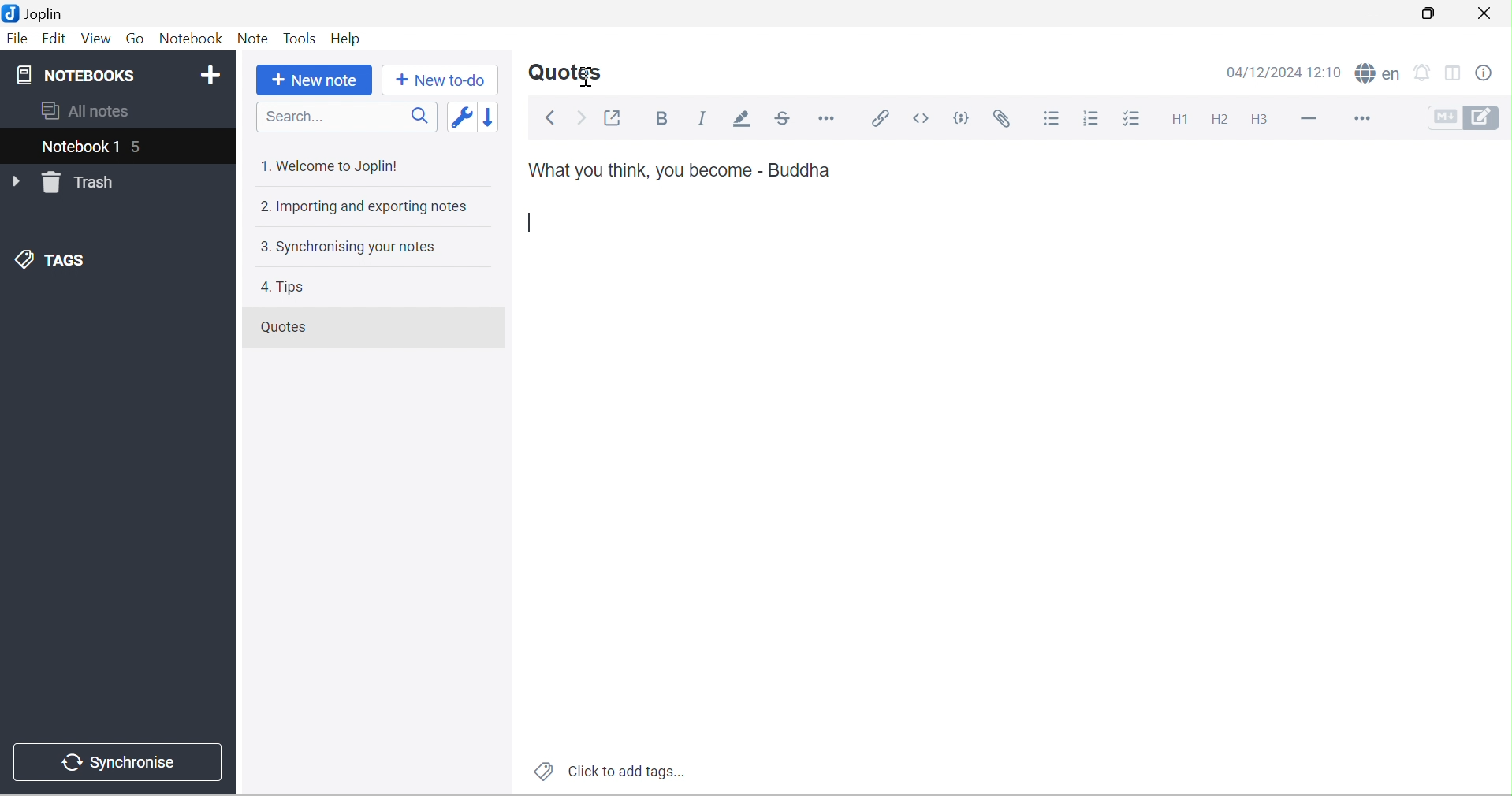  Describe the element at coordinates (1468, 119) in the screenshot. I see `Toggle editors` at that location.